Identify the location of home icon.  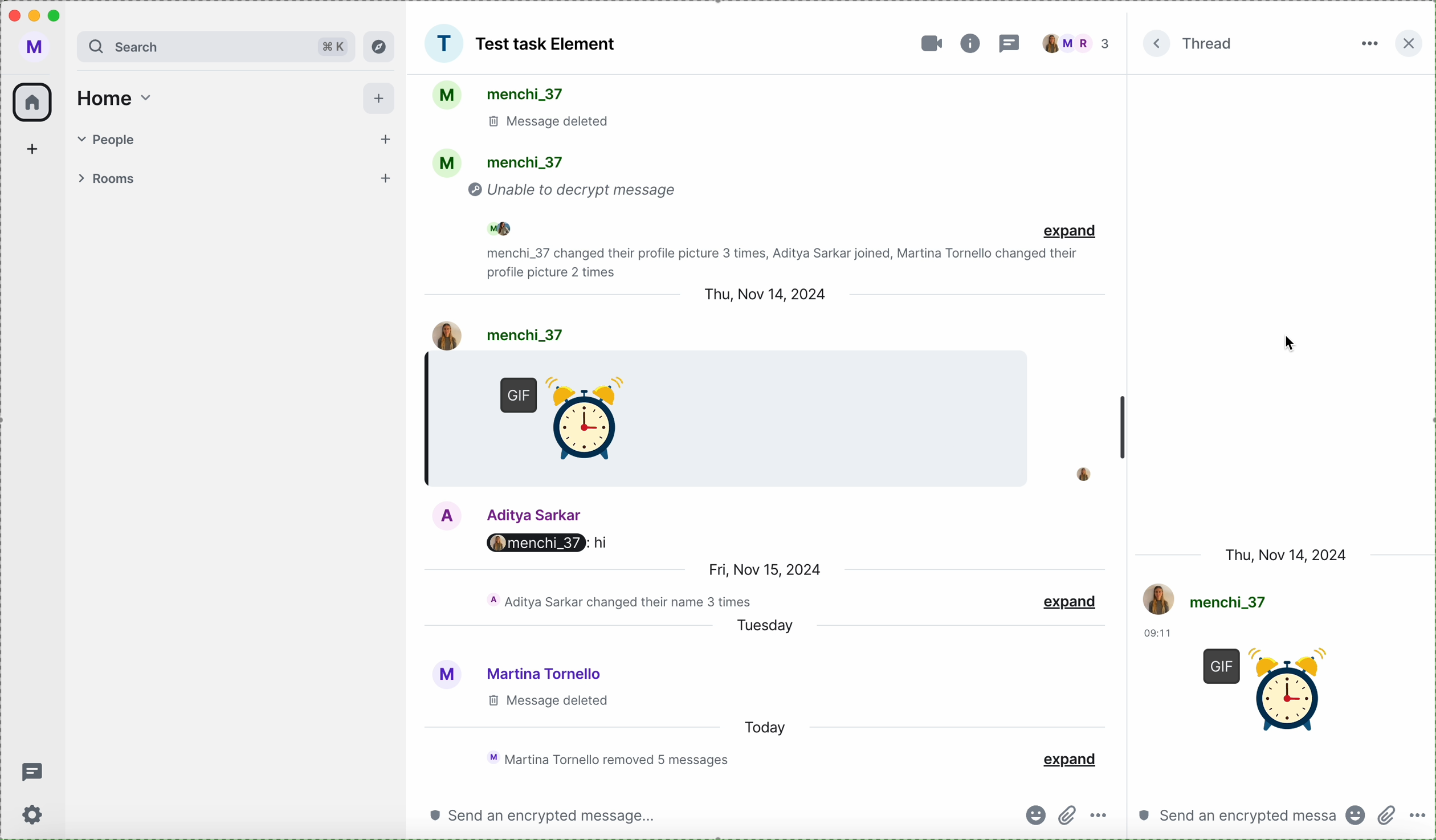
(33, 102).